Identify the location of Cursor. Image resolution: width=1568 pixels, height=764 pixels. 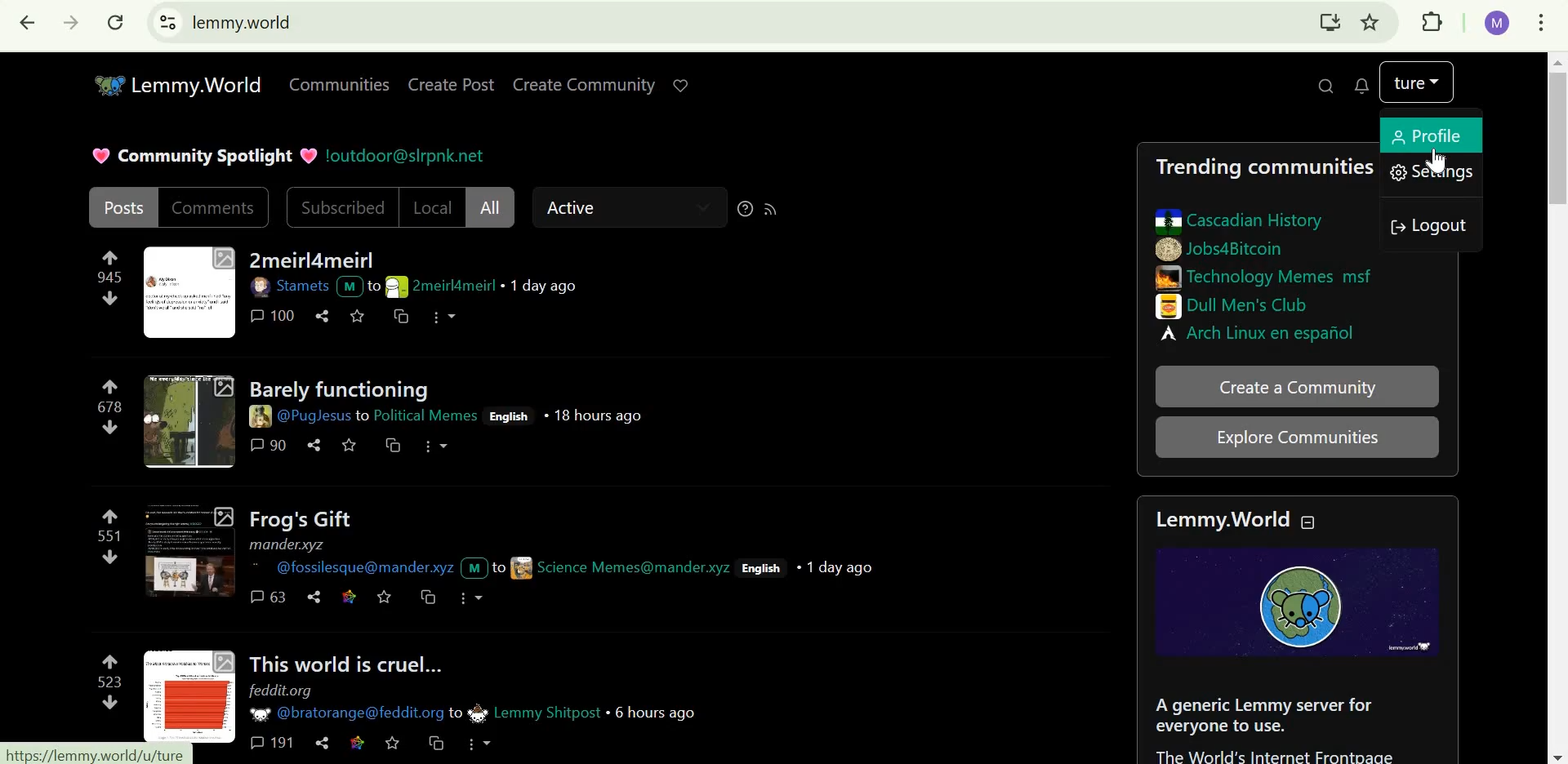
(1438, 163).